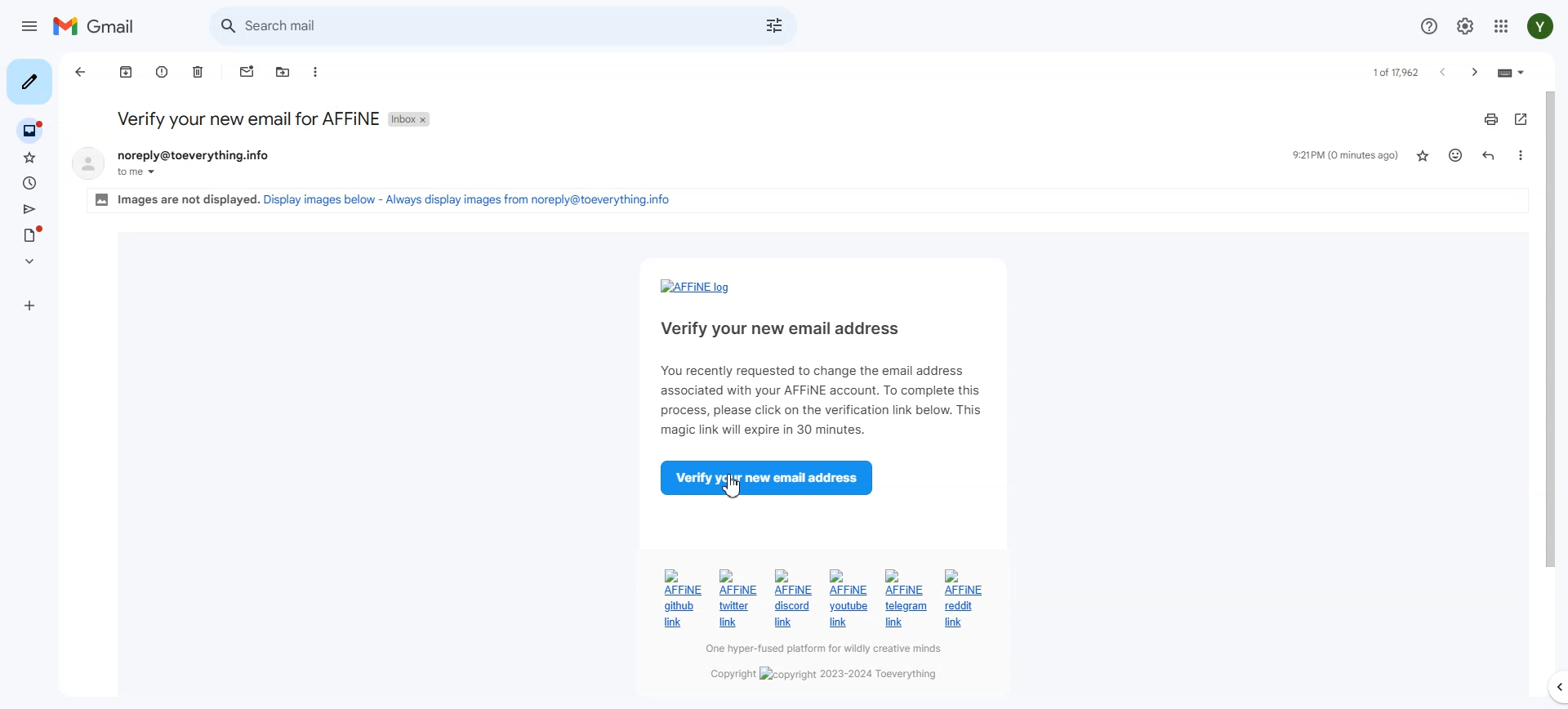  What do you see at coordinates (1554, 685) in the screenshot?
I see `hide side panel` at bounding box center [1554, 685].